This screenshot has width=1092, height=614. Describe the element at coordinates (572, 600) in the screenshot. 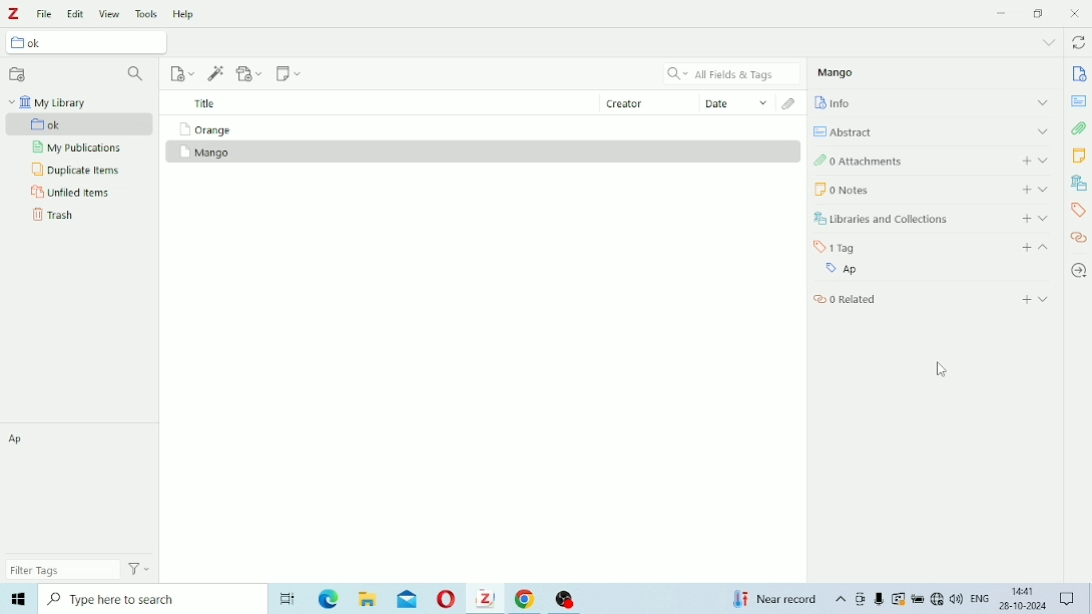

I see `OBS Studio` at that location.